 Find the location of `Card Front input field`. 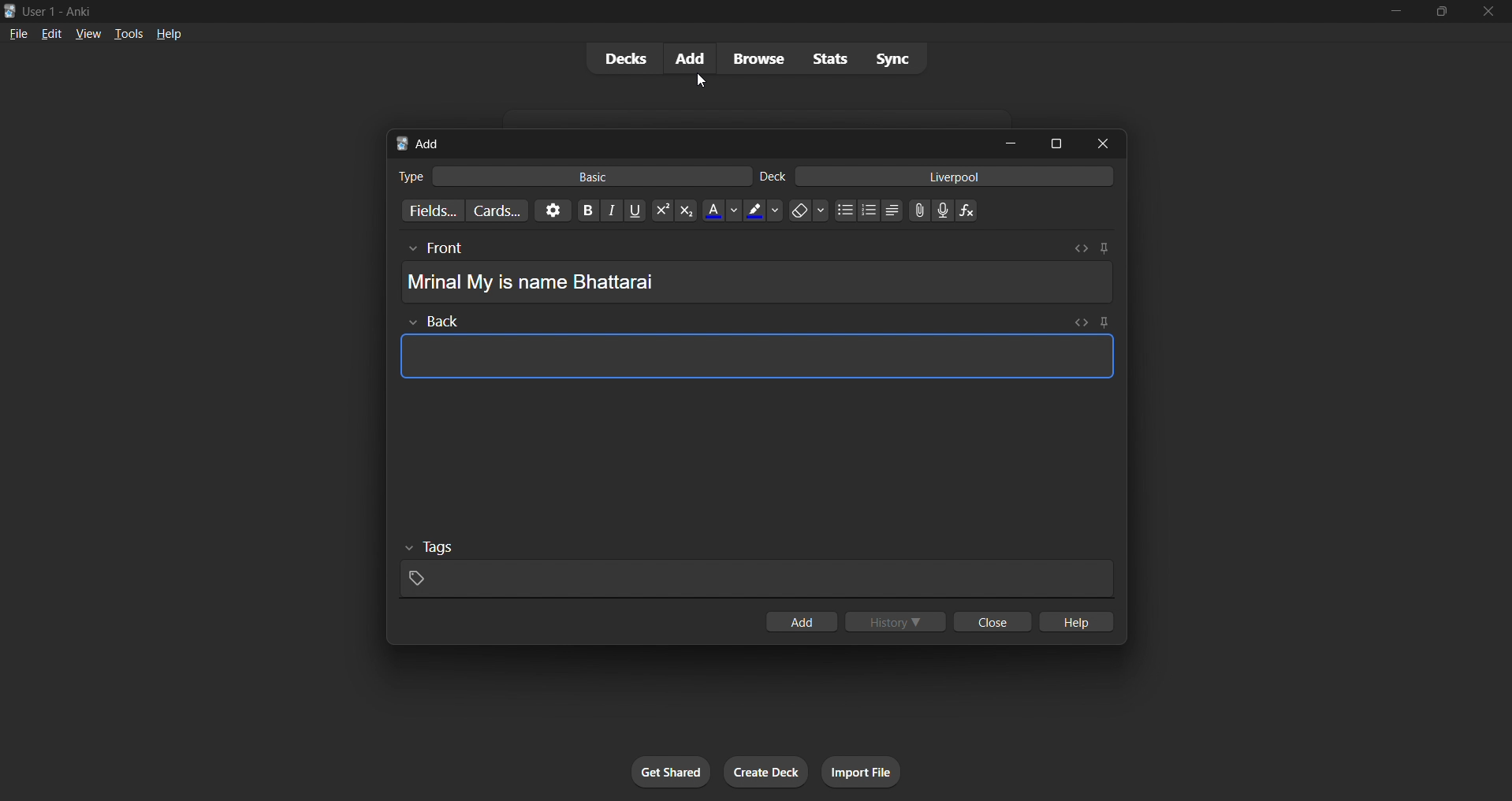

Card Front input field is located at coordinates (762, 272).